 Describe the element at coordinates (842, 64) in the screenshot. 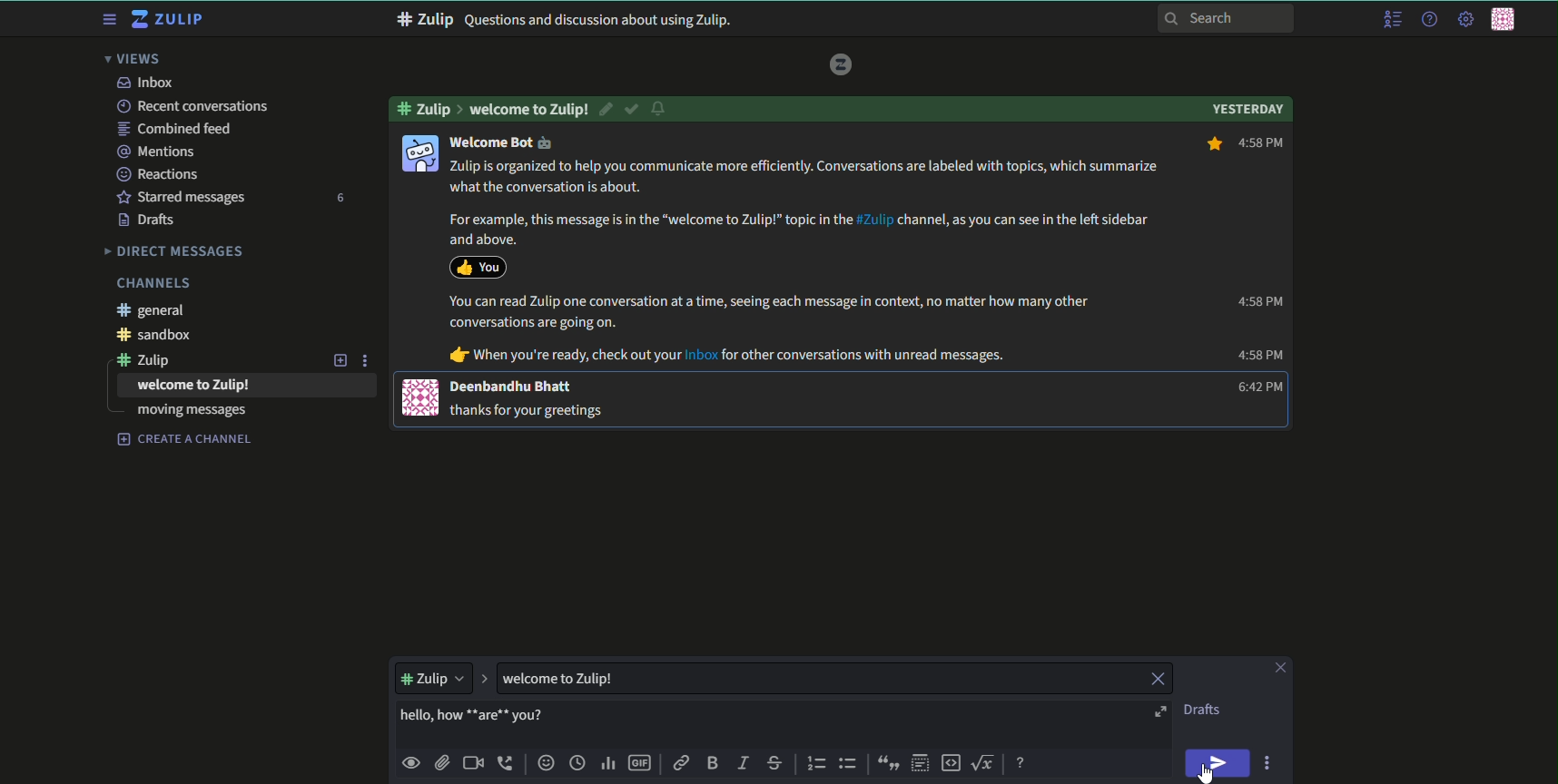

I see `logo` at that location.